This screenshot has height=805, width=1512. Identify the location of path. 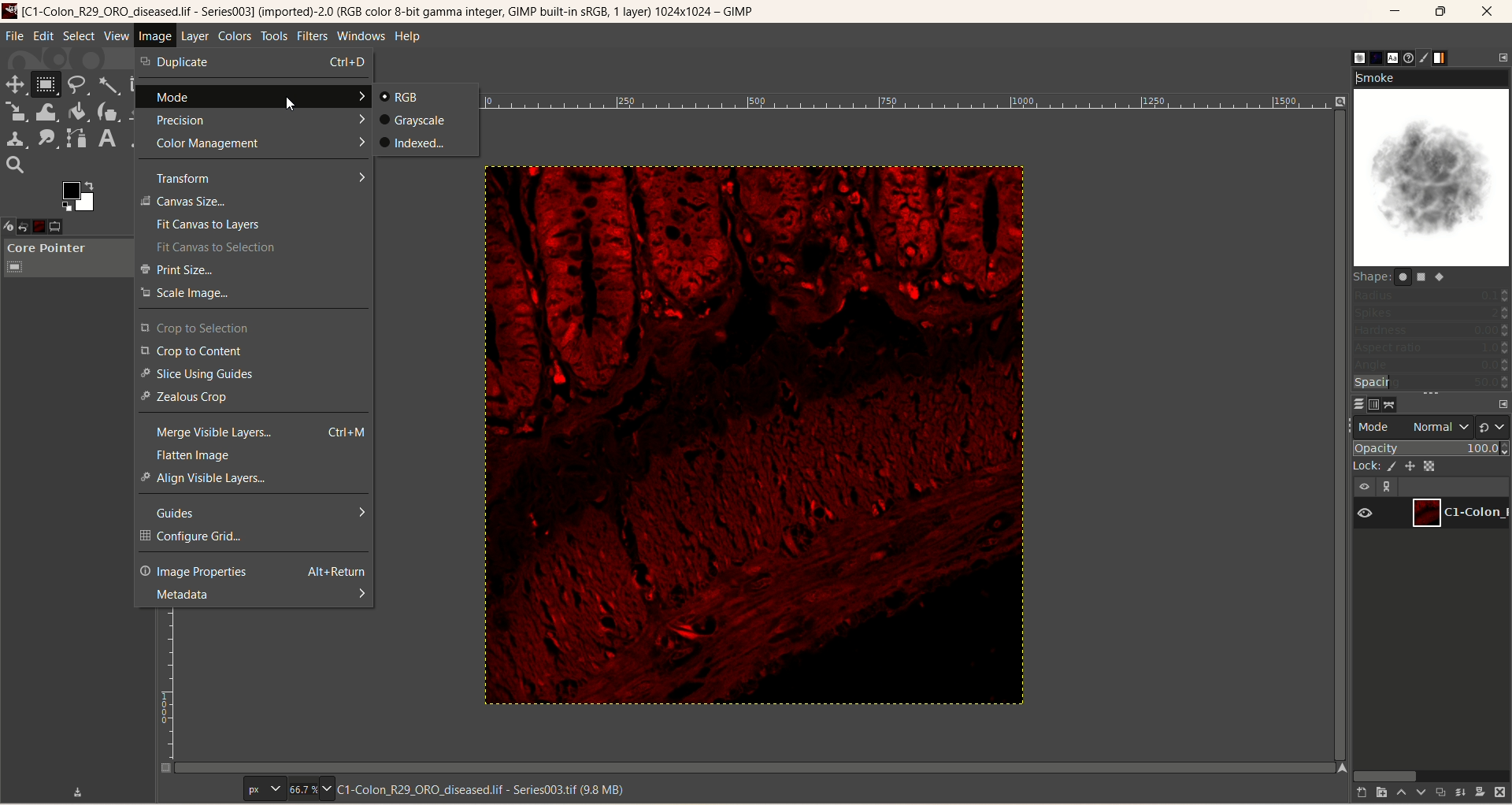
(1389, 404).